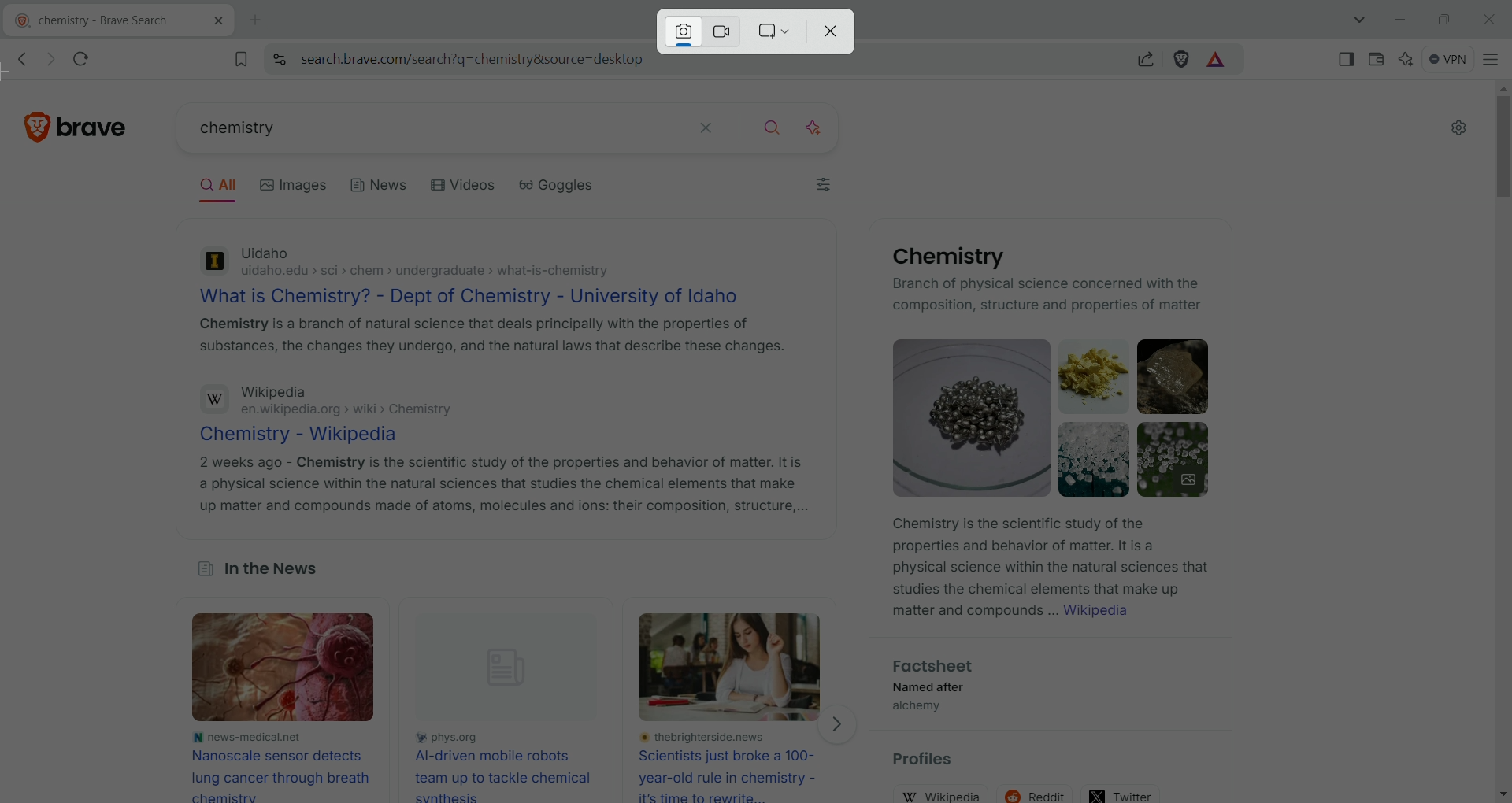 The height and width of the screenshot is (803, 1512). I want to click on answer with AI, so click(823, 125).